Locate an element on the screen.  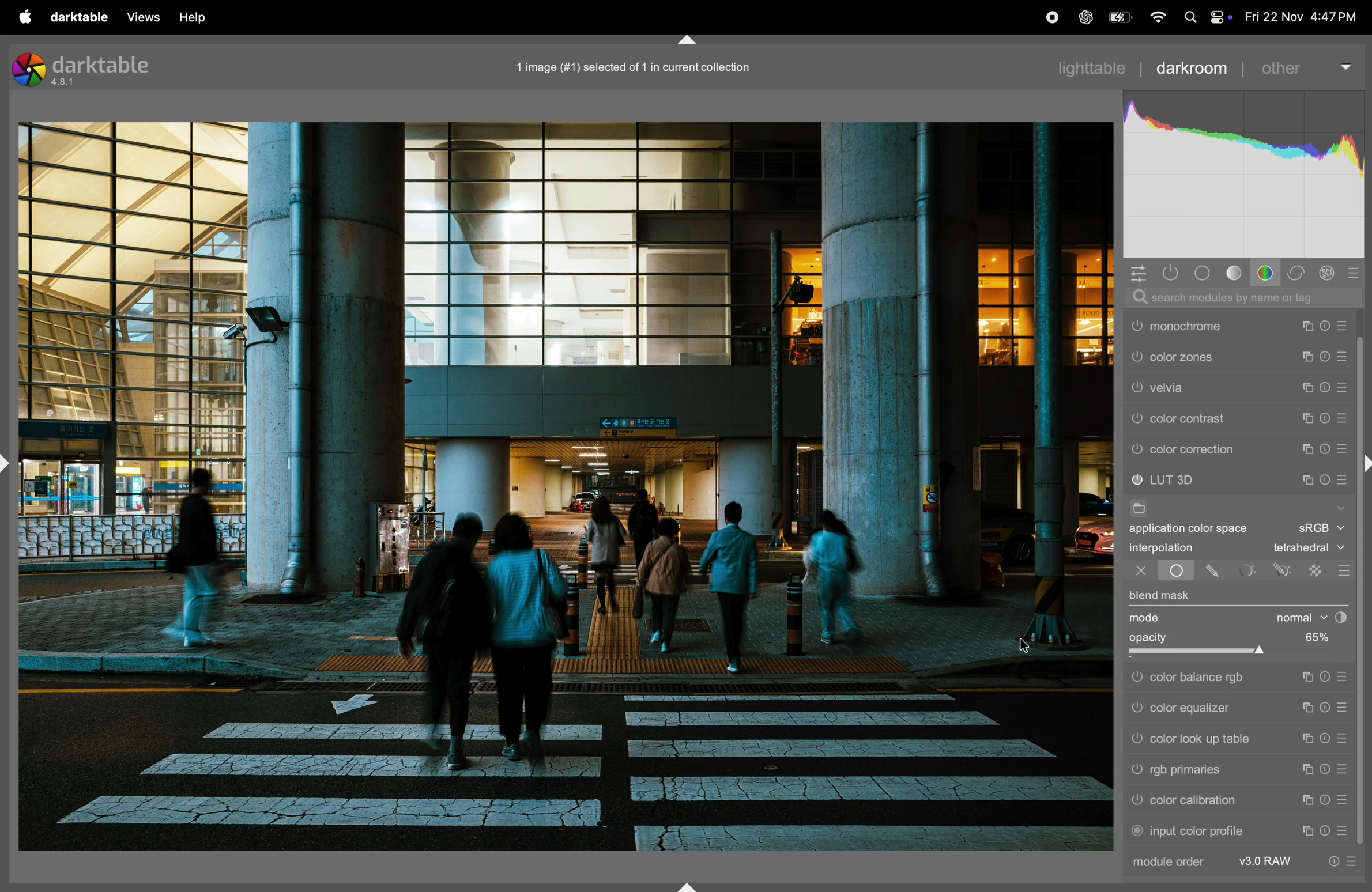
presets is located at coordinates (1341, 828).